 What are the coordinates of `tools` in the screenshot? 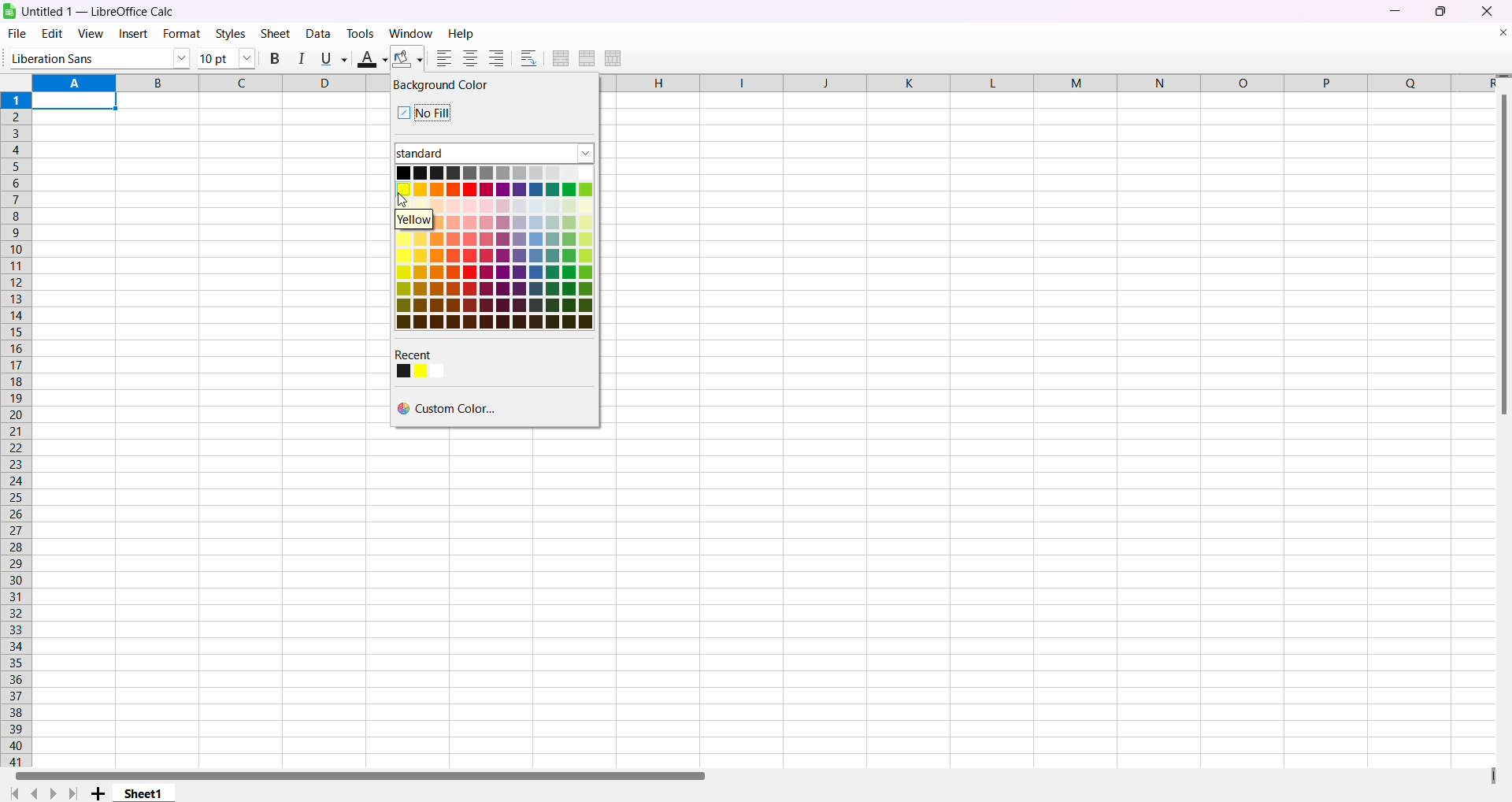 It's located at (360, 34).